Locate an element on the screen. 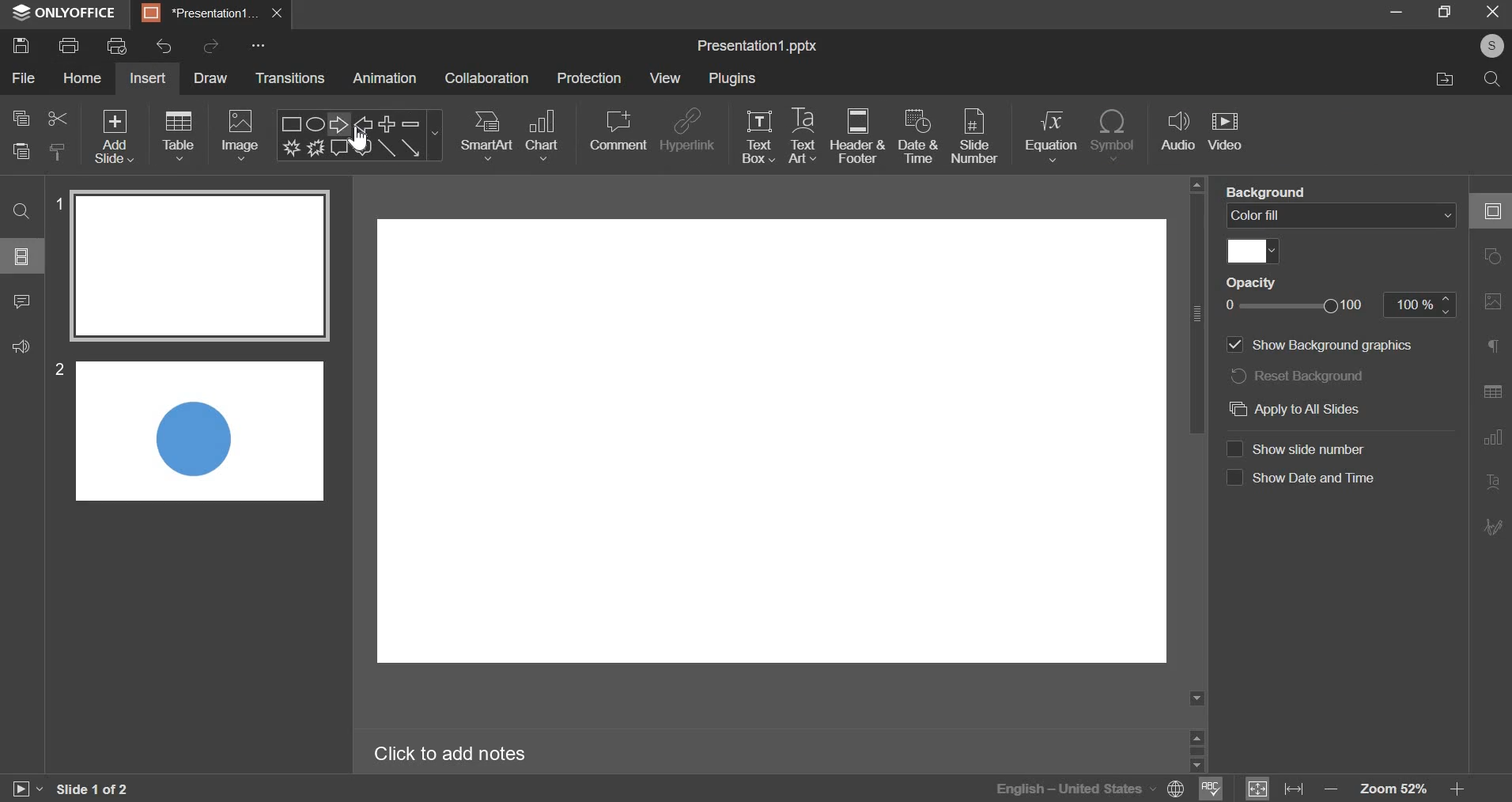 This screenshot has width=1512, height=802. Left arrow is located at coordinates (364, 123).